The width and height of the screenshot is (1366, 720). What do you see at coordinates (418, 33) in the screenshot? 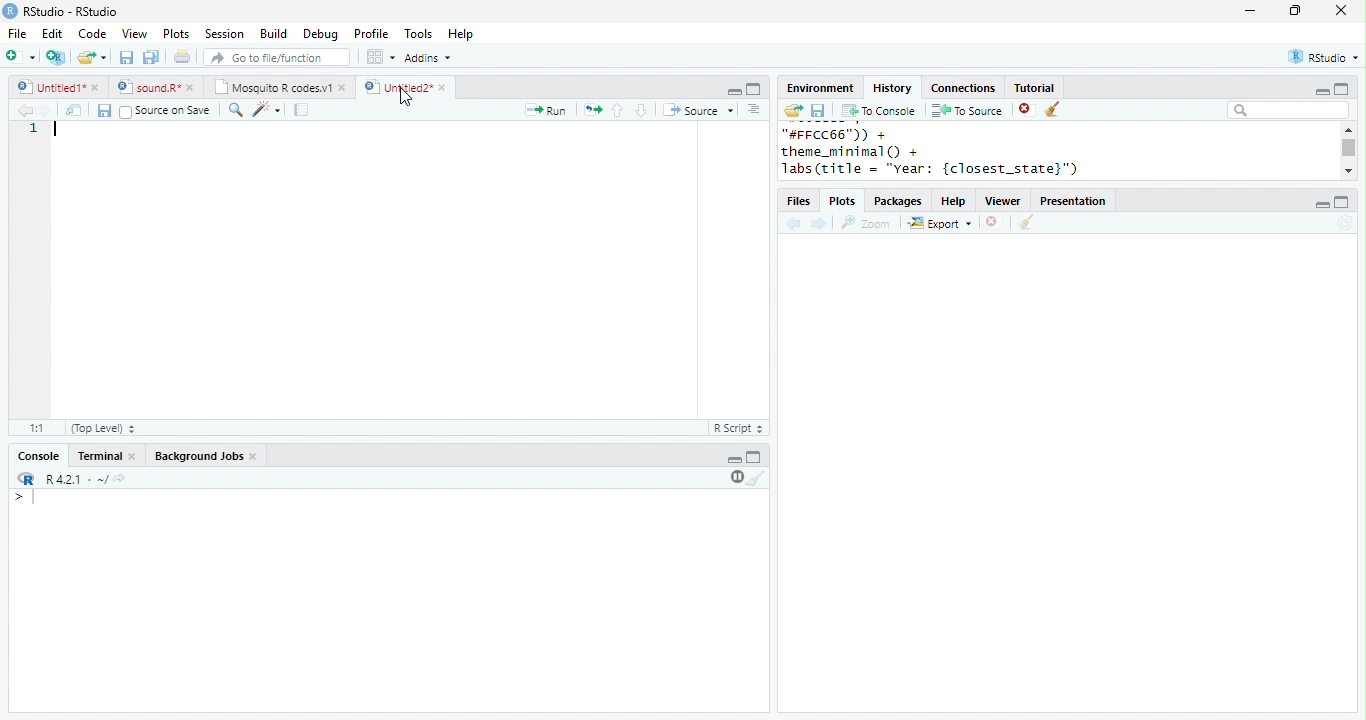
I see `Tools` at bounding box center [418, 33].